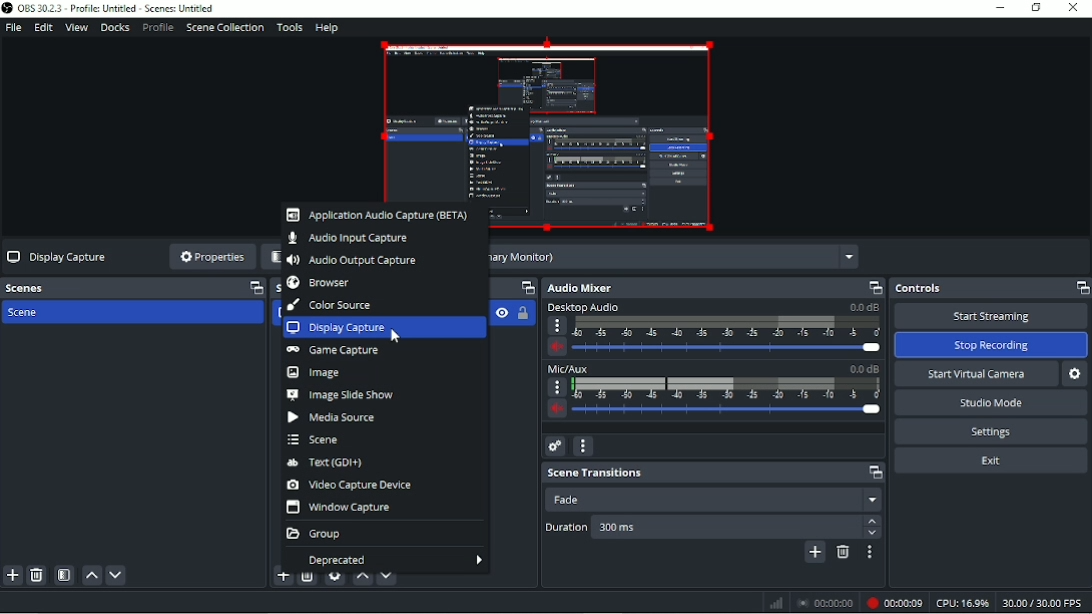  Describe the element at coordinates (397, 338) in the screenshot. I see `Pointer` at that location.